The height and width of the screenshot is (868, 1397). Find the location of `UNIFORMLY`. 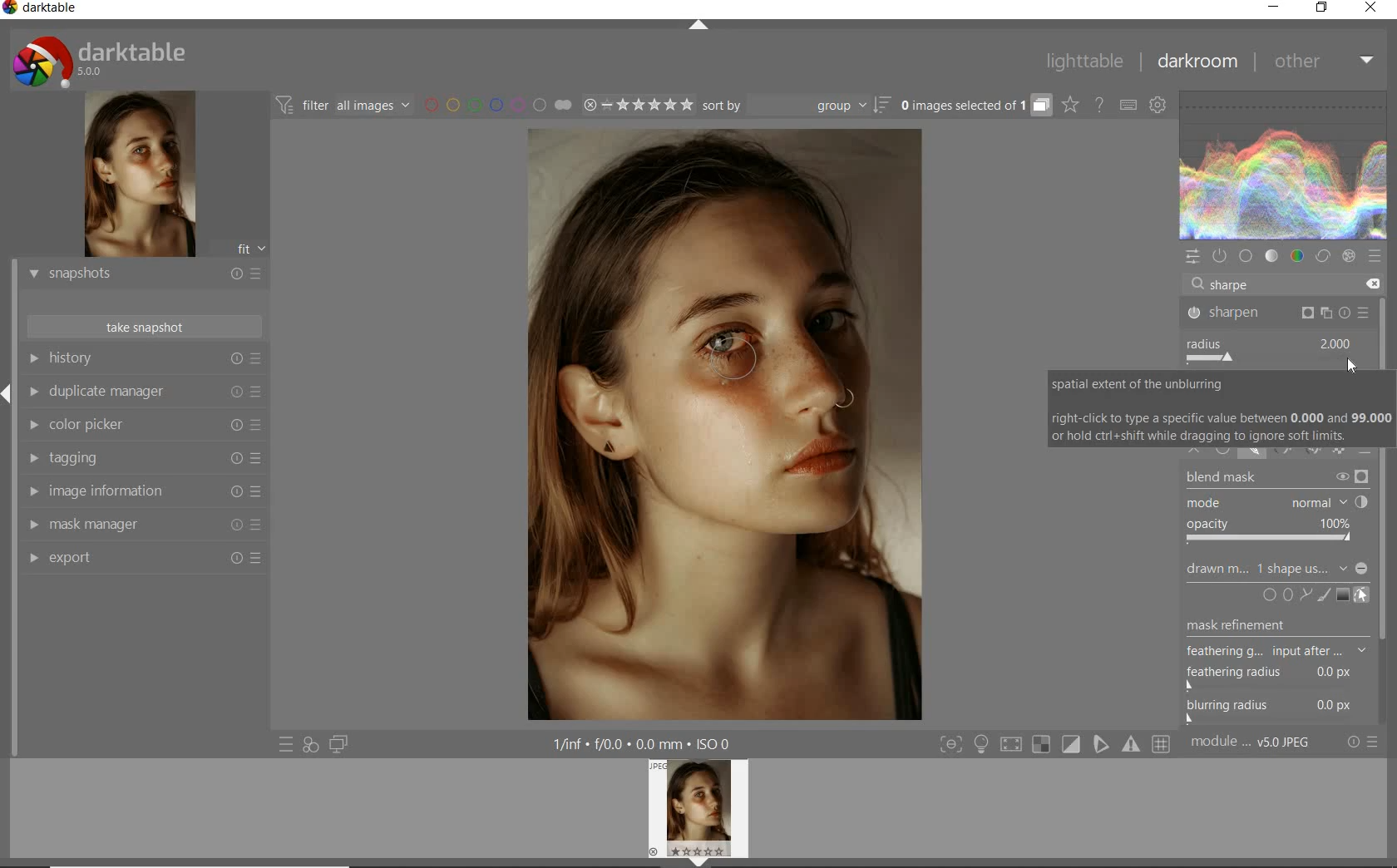

UNIFORMLY is located at coordinates (1224, 452).